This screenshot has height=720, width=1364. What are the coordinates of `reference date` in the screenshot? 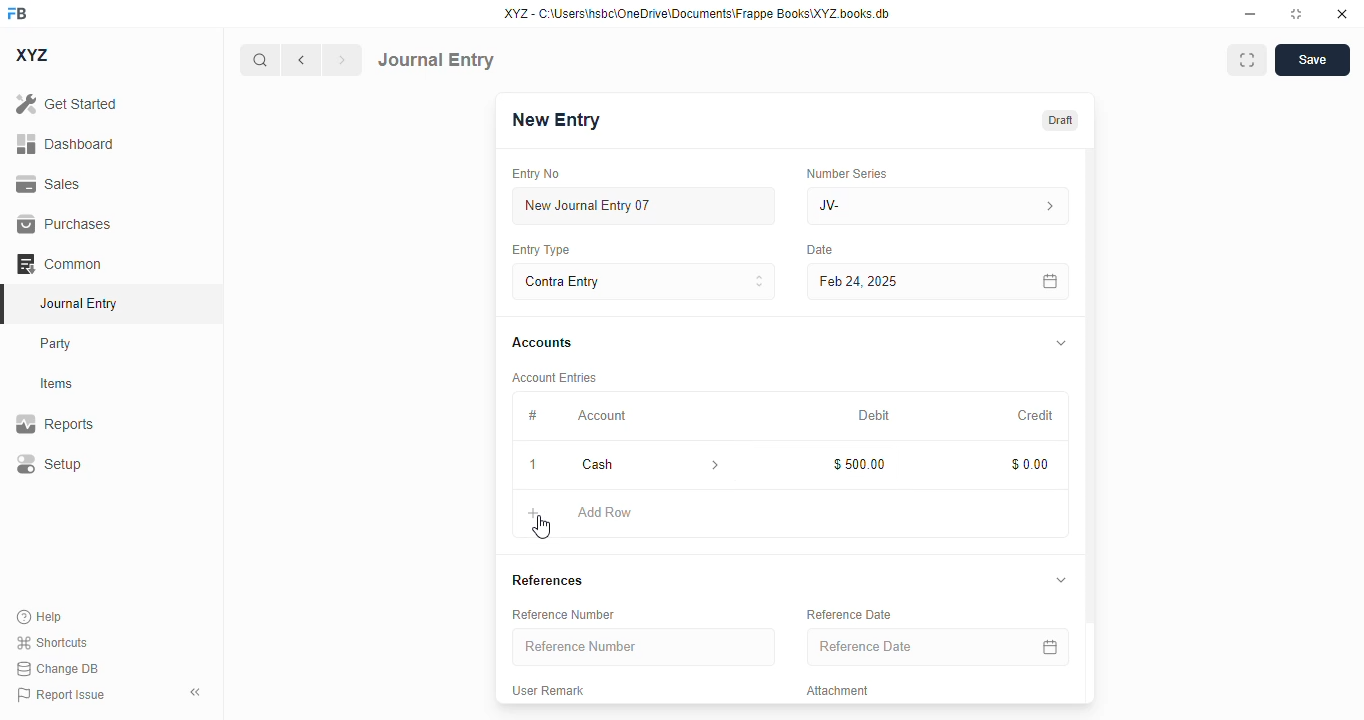 It's located at (899, 647).